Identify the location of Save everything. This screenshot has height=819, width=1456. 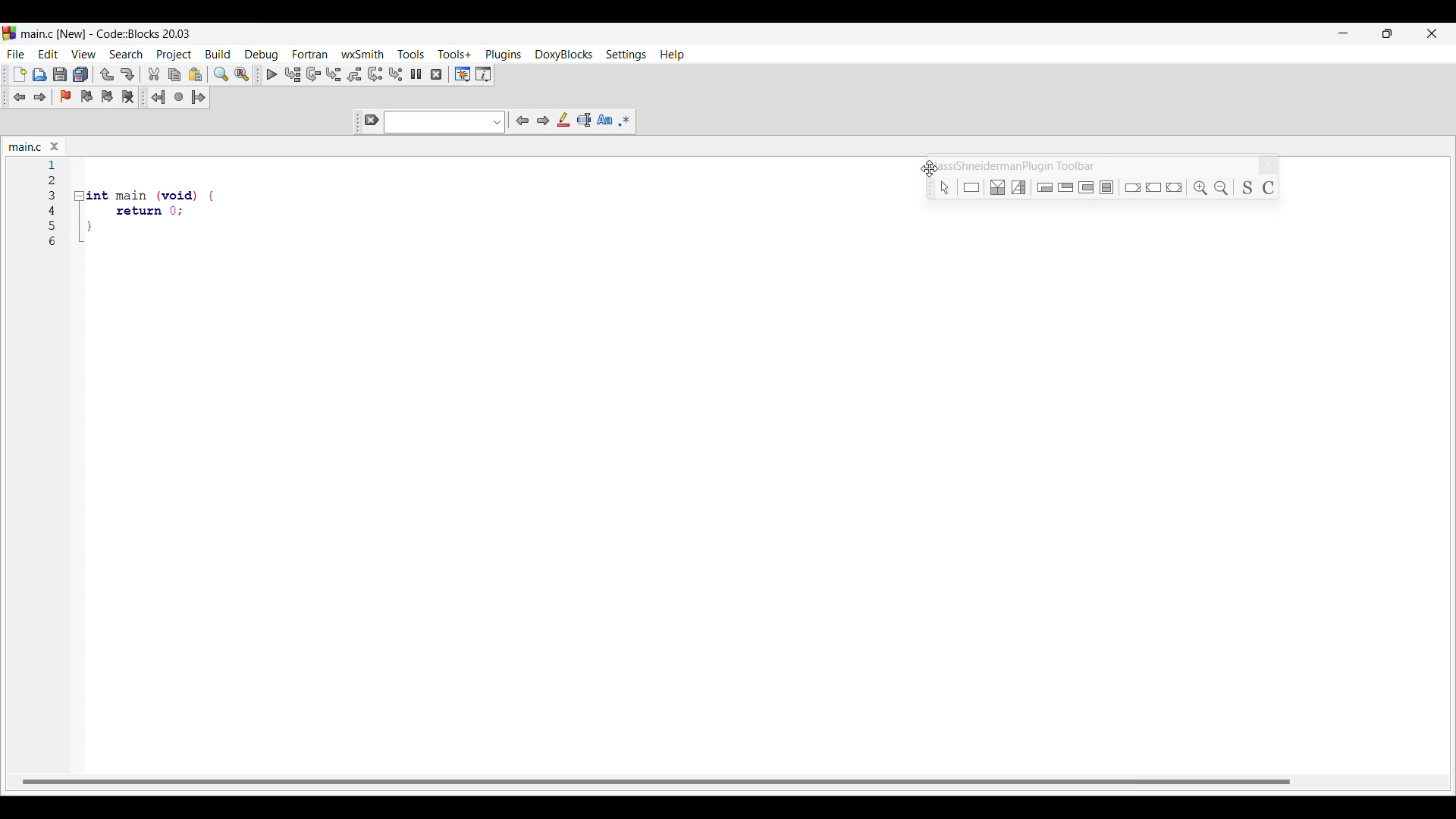
(81, 74).